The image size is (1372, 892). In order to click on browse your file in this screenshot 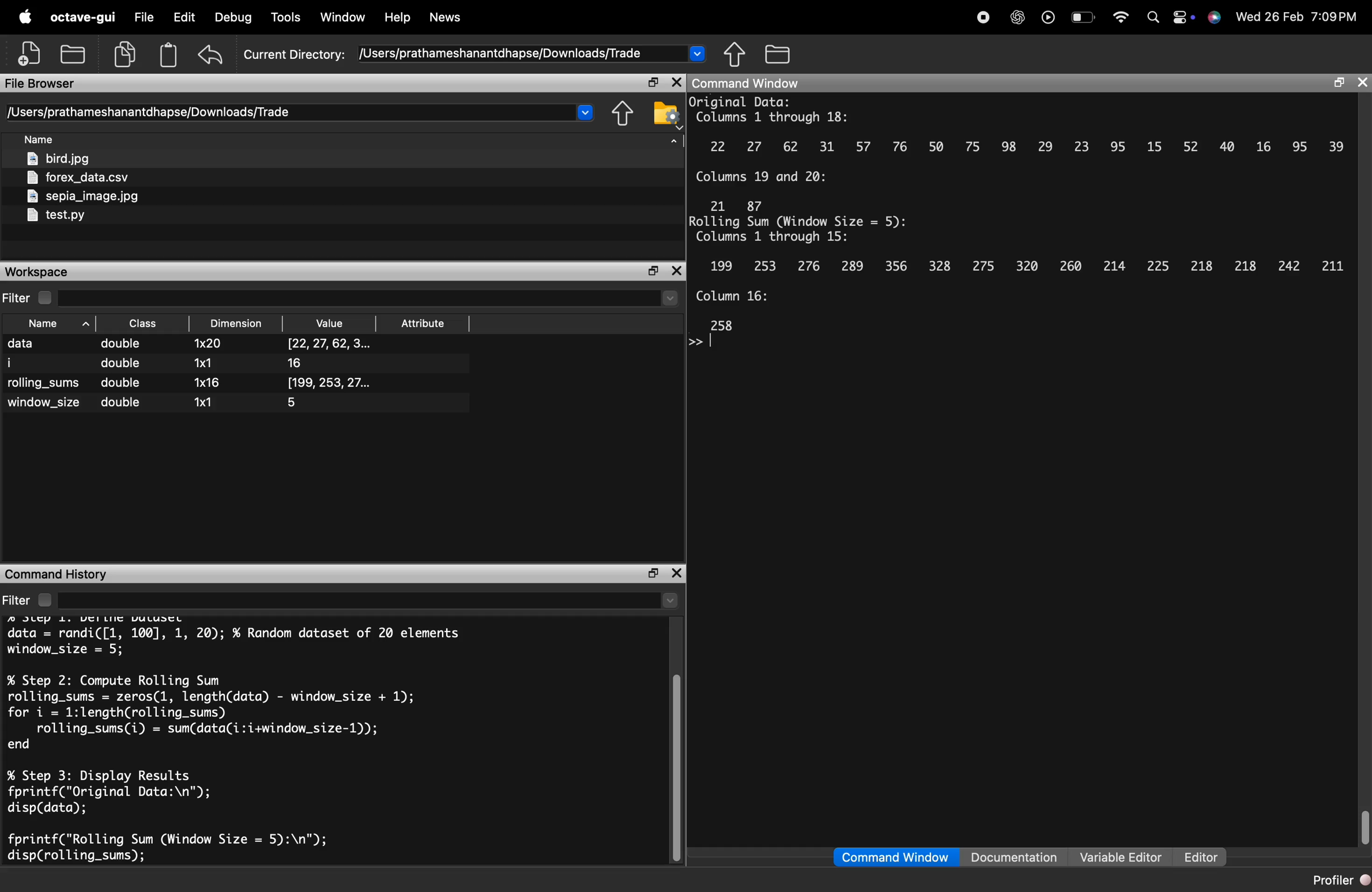, I will do `click(666, 113)`.